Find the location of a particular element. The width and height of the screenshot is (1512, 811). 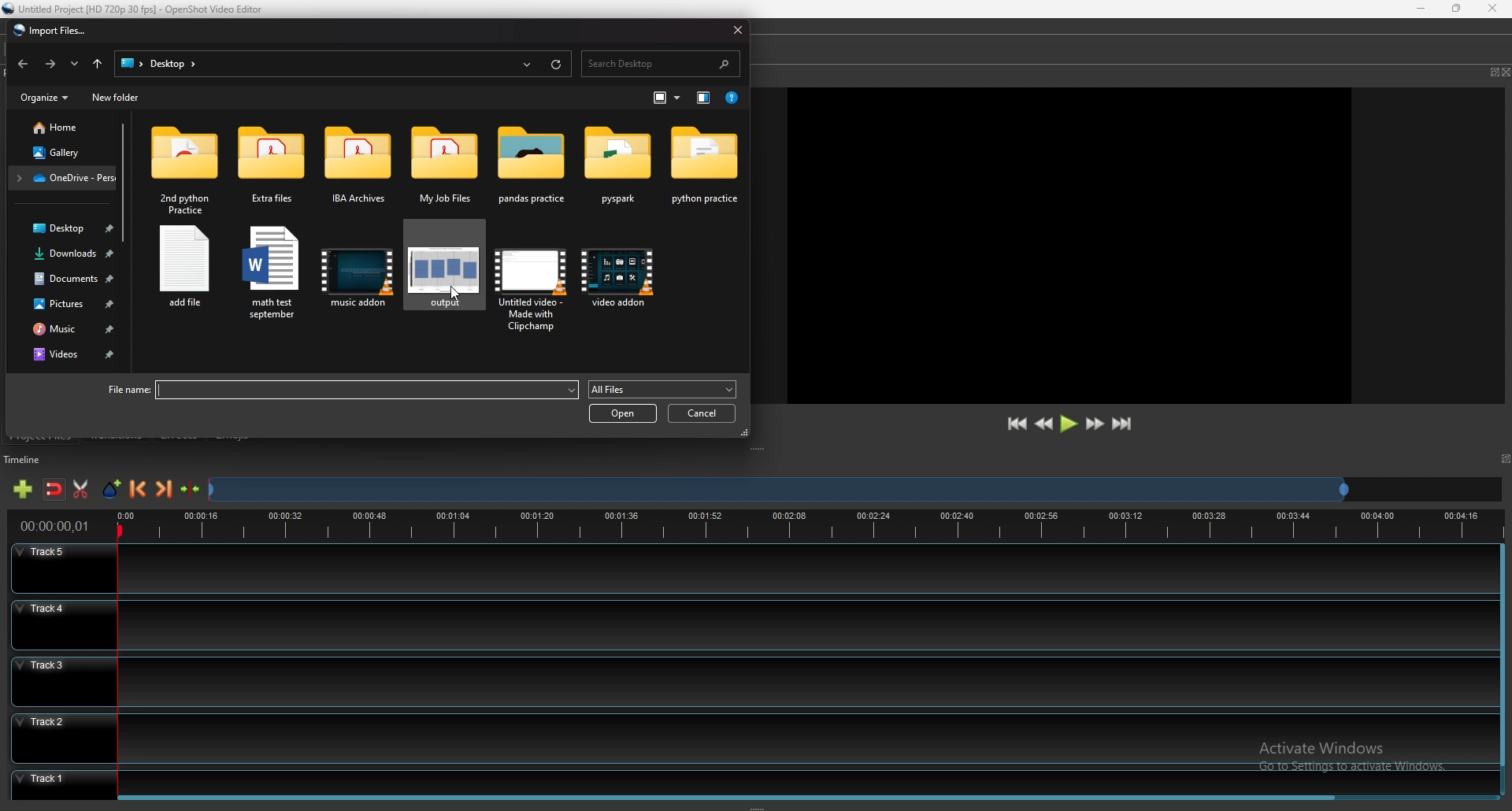

scroll bar is located at coordinates (732, 796).